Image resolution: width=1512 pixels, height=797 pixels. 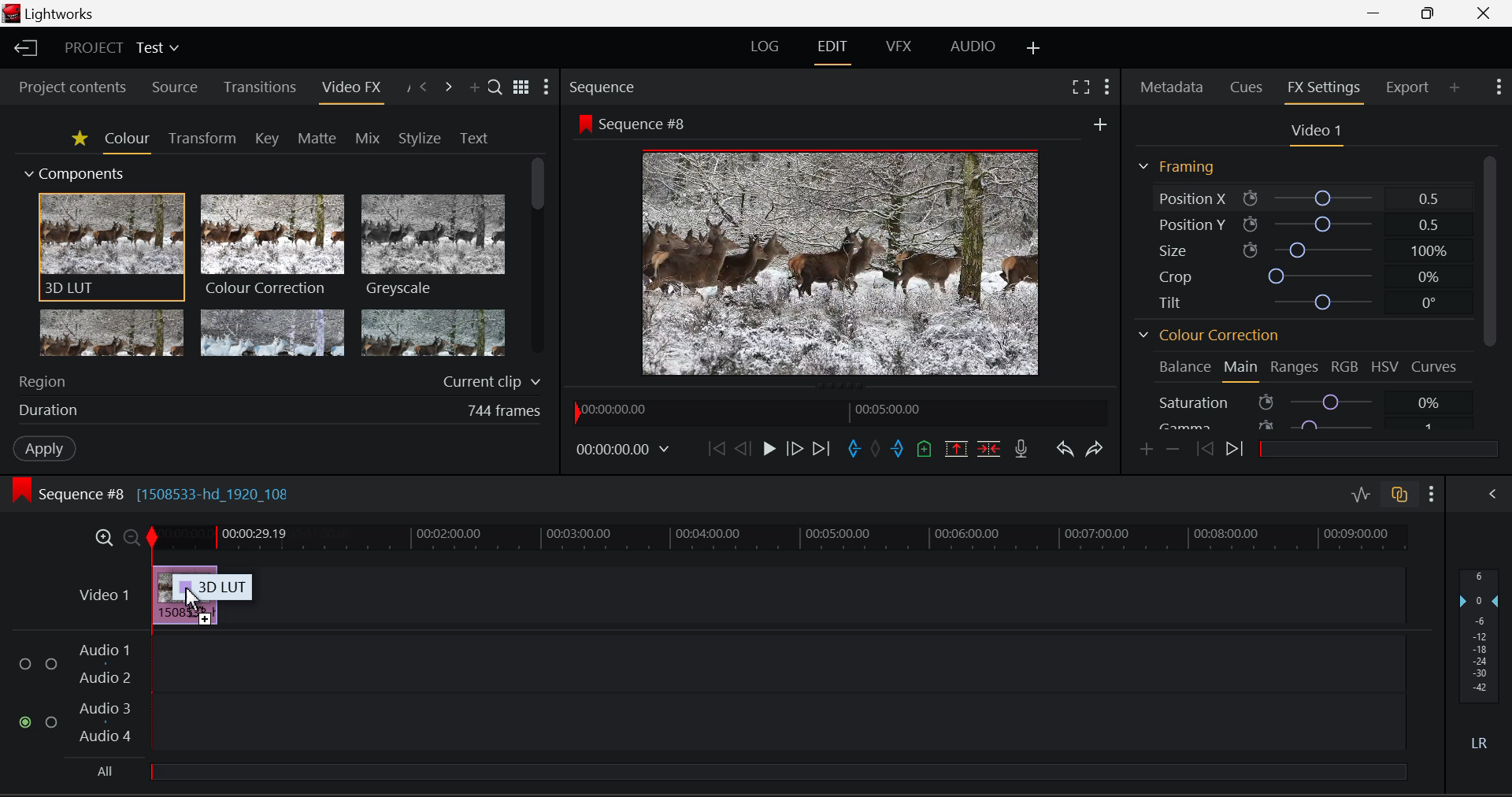 What do you see at coordinates (369, 135) in the screenshot?
I see `Mix` at bounding box center [369, 135].